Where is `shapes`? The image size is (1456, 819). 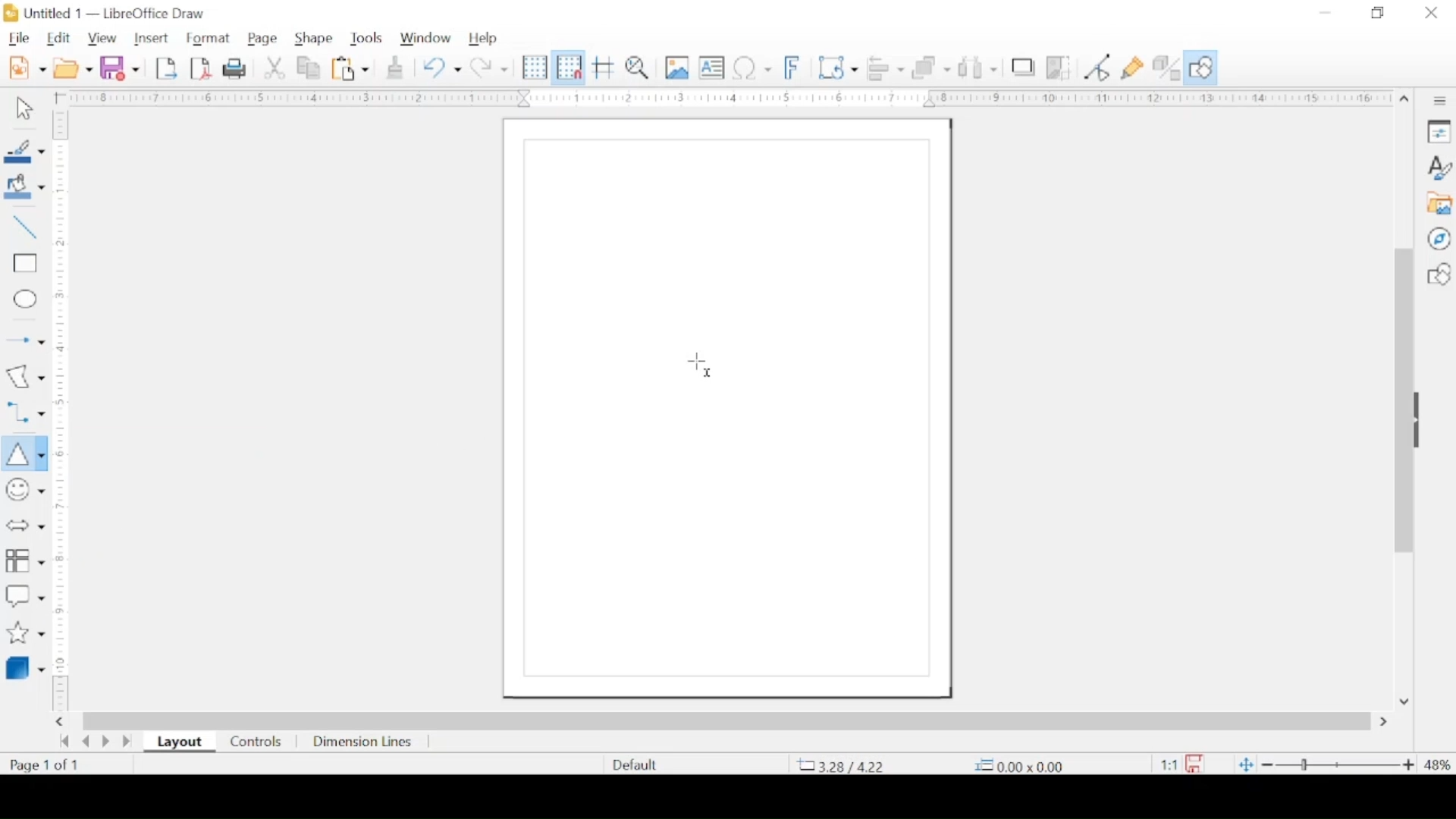 shapes is located at coordinates (1439, 275).